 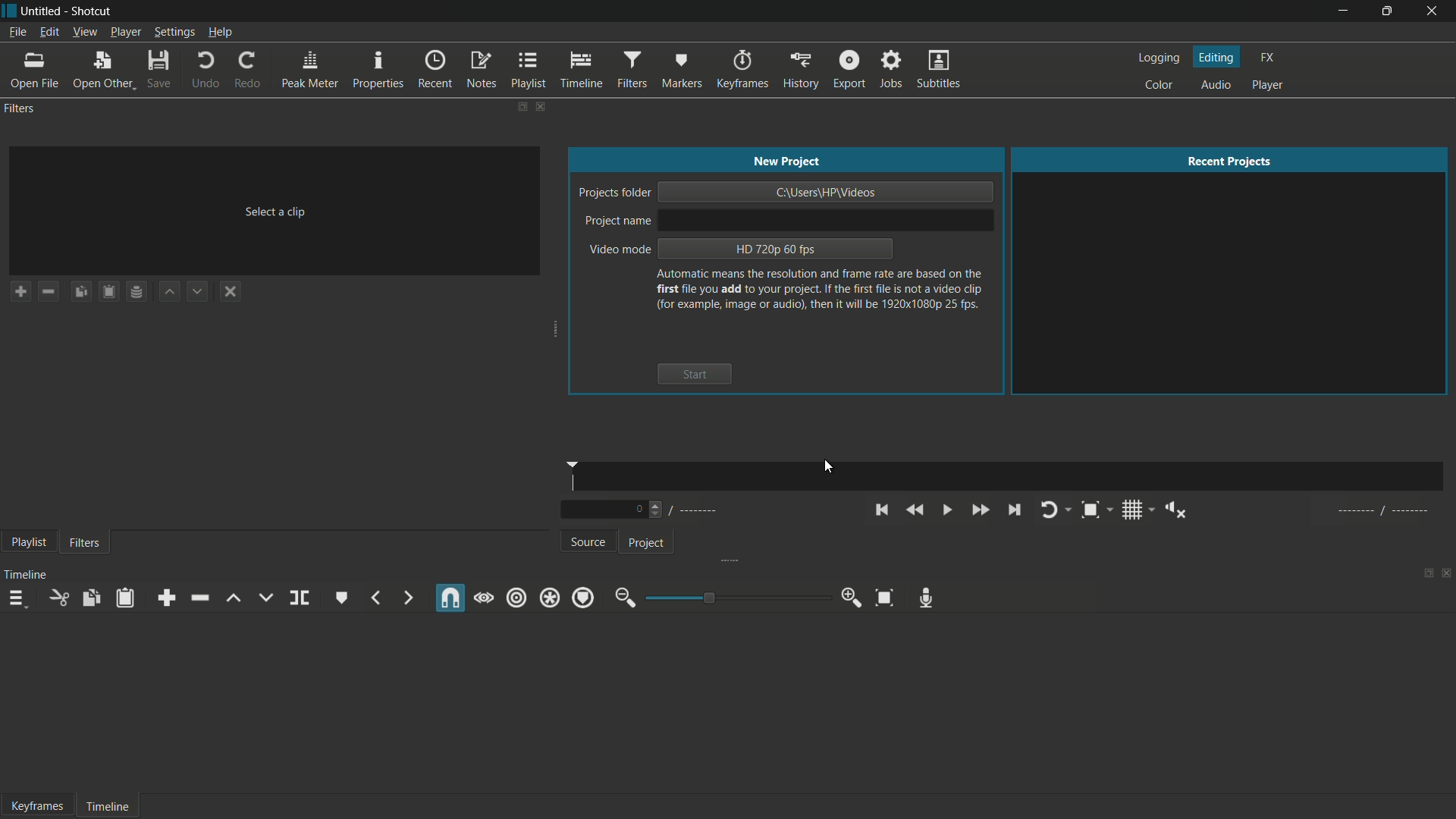 I want to click on scrub while dragging, so click(x=484, y=598).